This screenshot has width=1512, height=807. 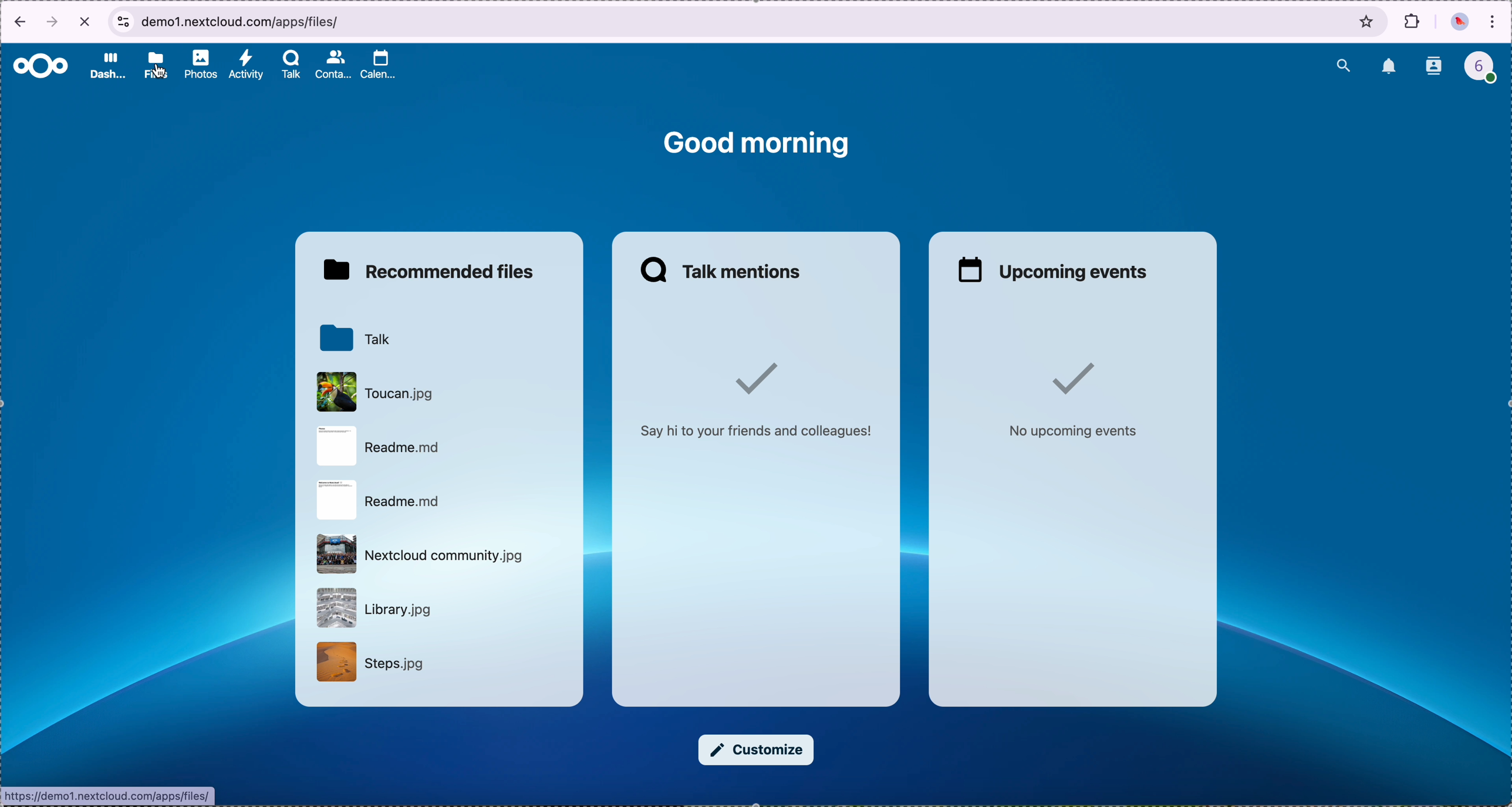 I want to click on URL, so click(x=110, y=795).